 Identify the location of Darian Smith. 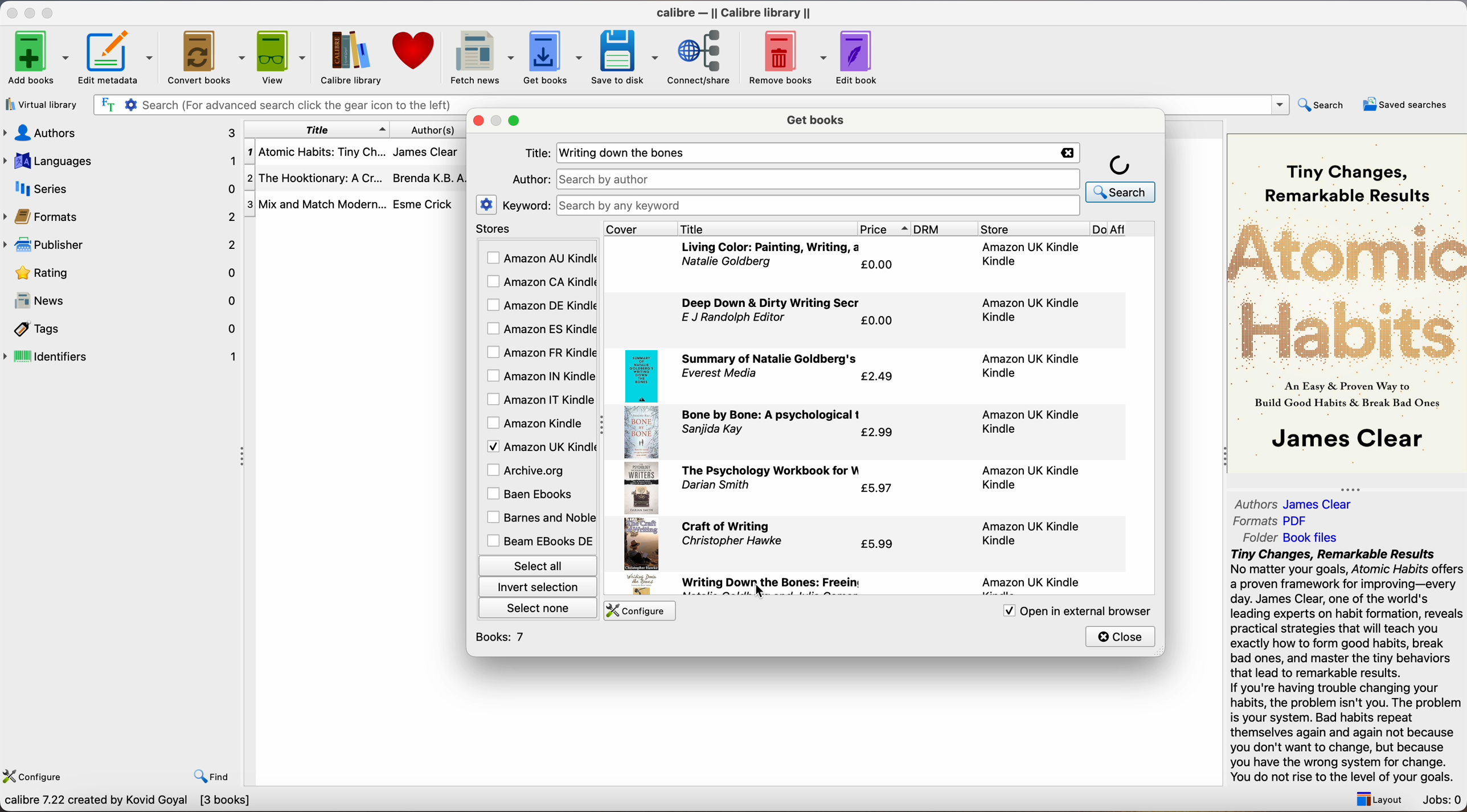
(716, 487).